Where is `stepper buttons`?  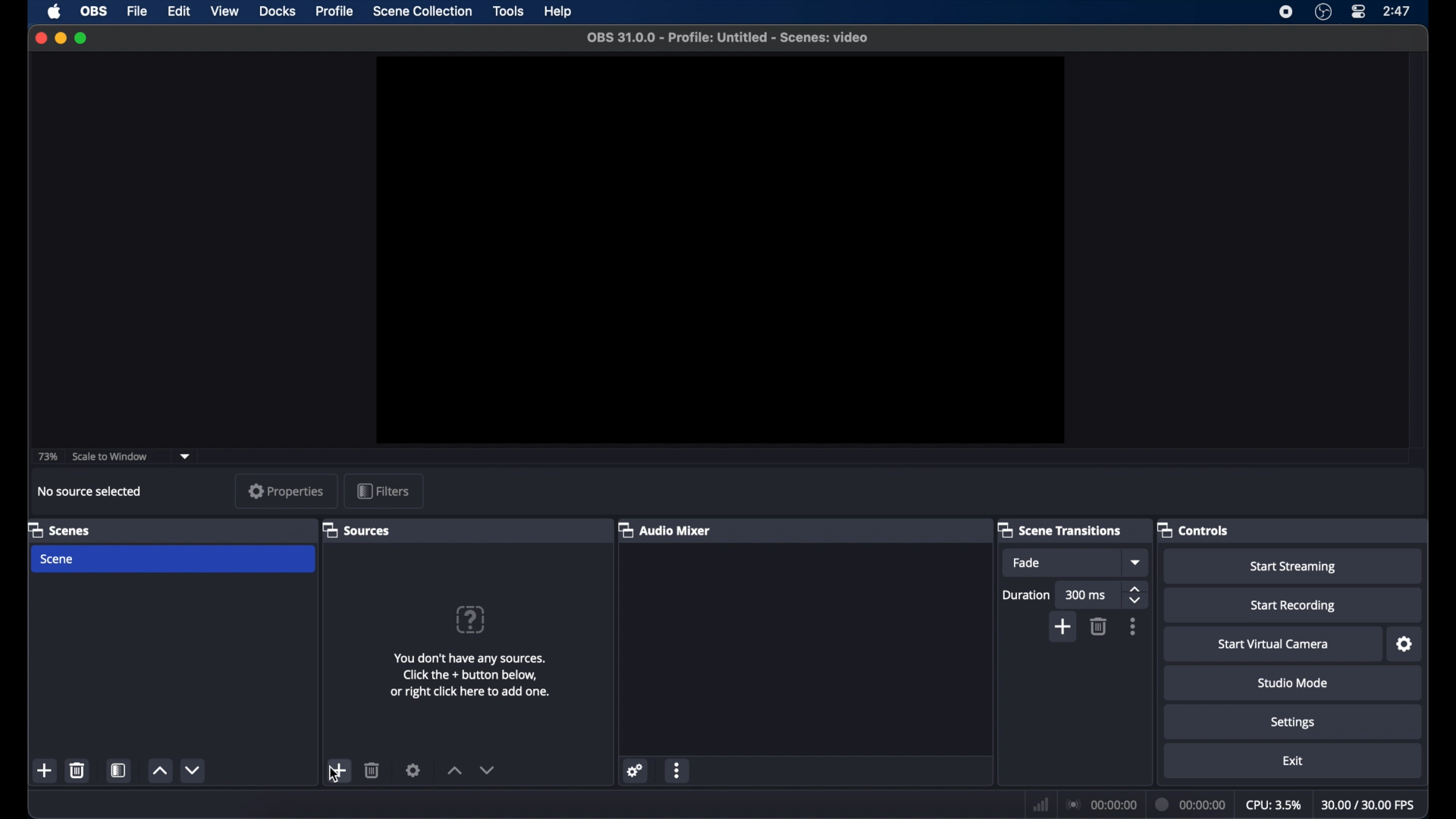 stepper buttons is located at coordinates (1137, 595).